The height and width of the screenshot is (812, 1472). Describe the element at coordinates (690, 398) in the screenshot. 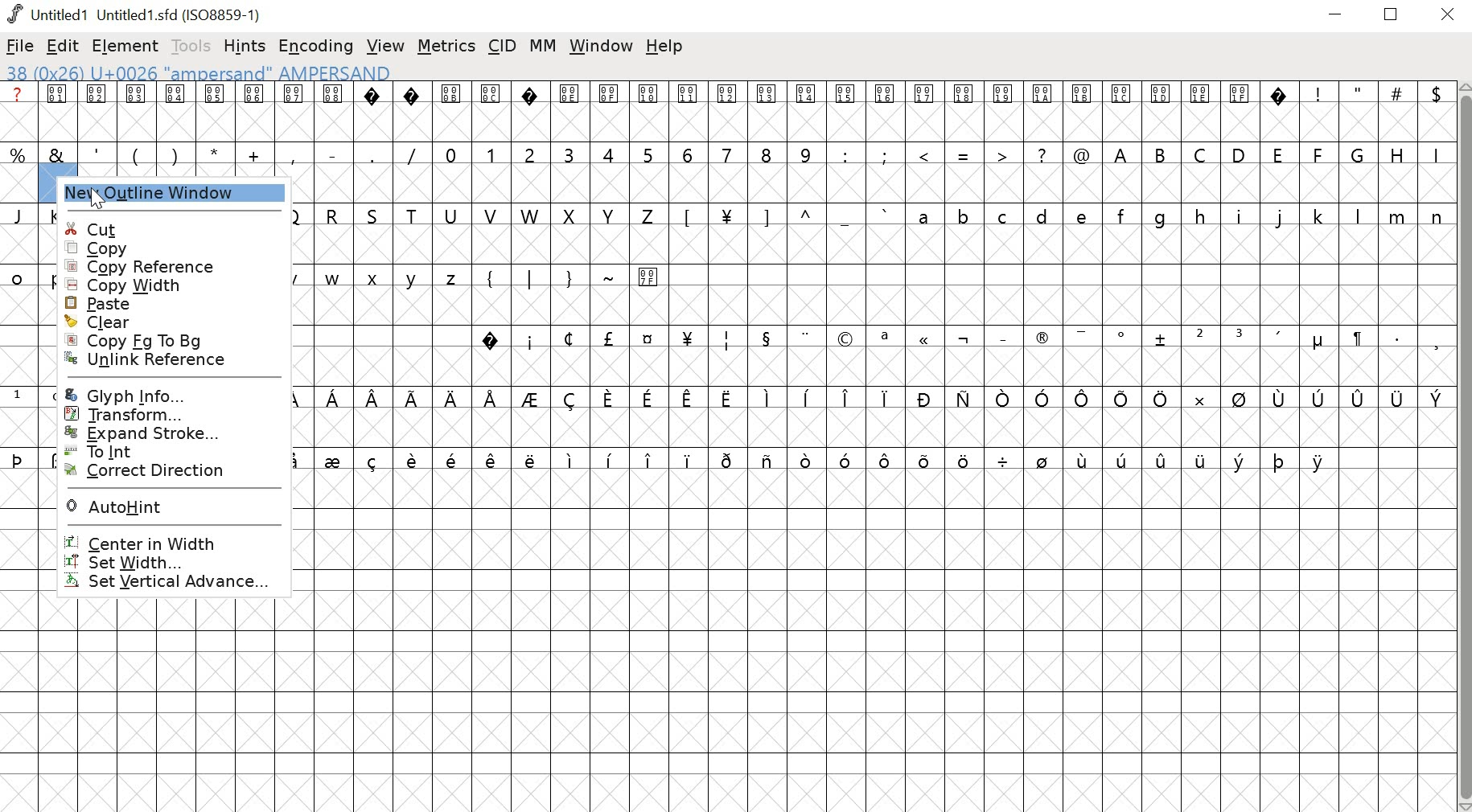

I see `symbol` at that location.